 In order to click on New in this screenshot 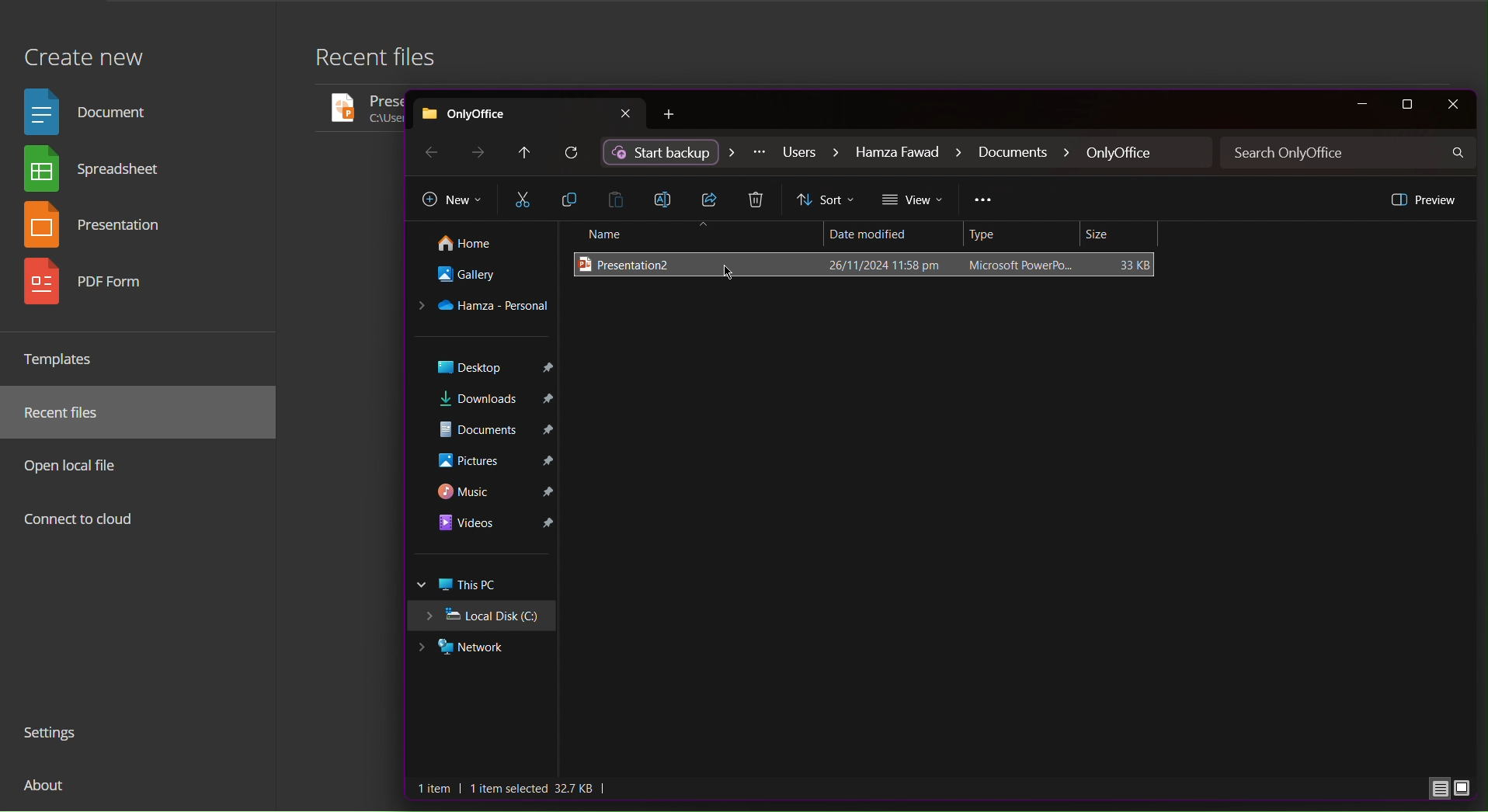, I will do `click(452, 201)`.